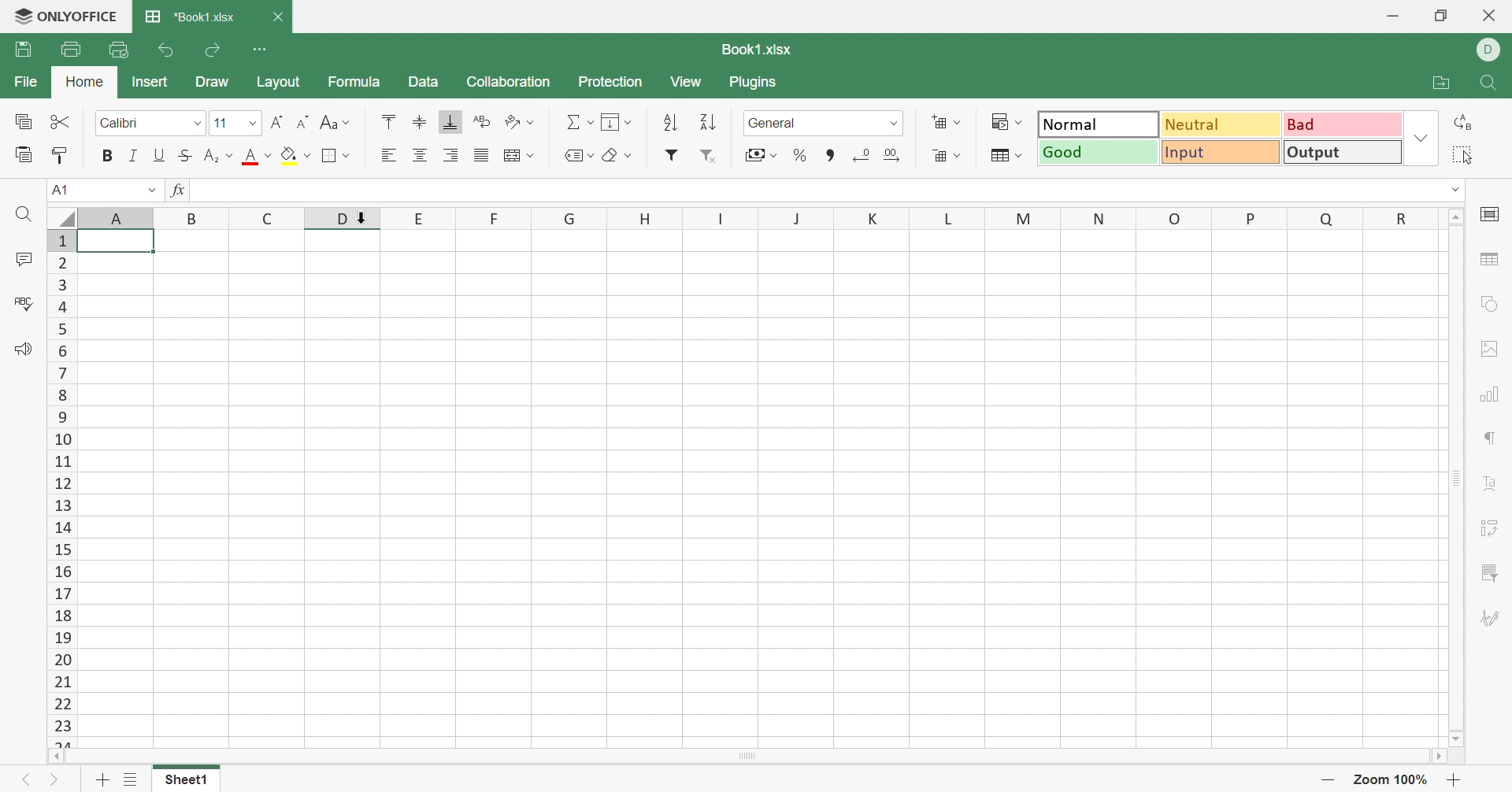  What do you see at coordinates (197, 123) in the screenshot?
I see `Drop Down` at bounding box center [197, 123].